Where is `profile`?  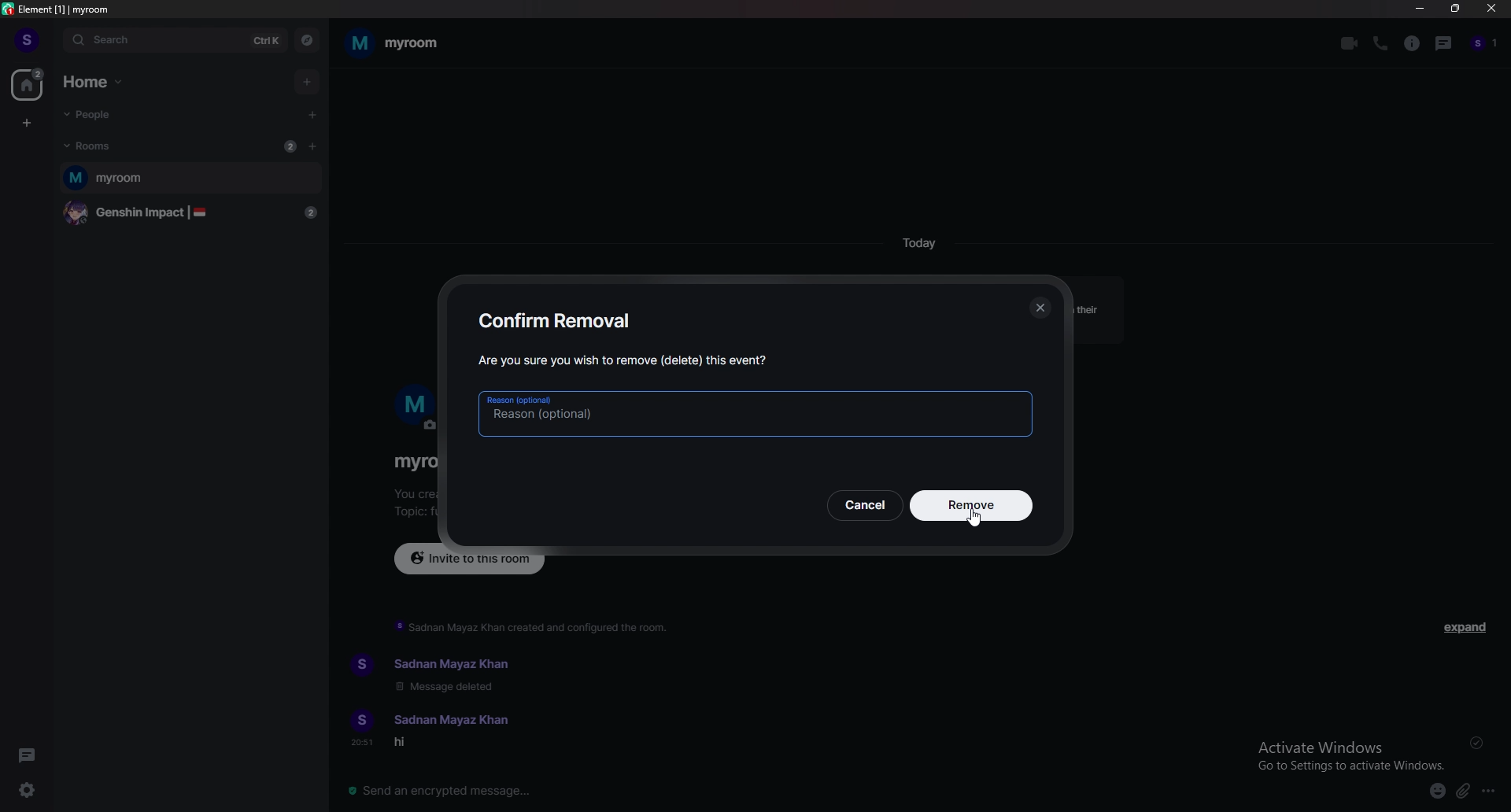
profile is located at coordinates (27, 39).